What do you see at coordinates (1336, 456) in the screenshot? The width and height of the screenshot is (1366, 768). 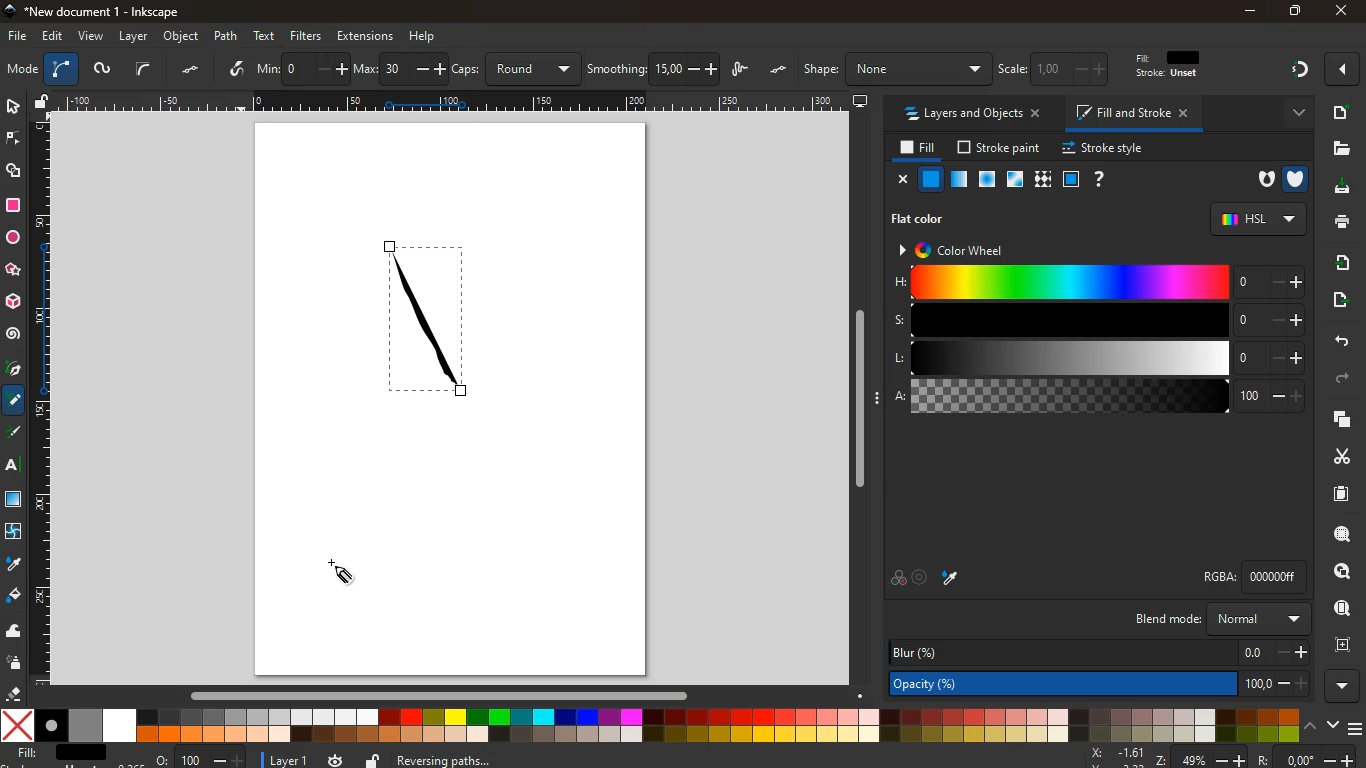 I see `cut` at bounding box center [1336, 456].